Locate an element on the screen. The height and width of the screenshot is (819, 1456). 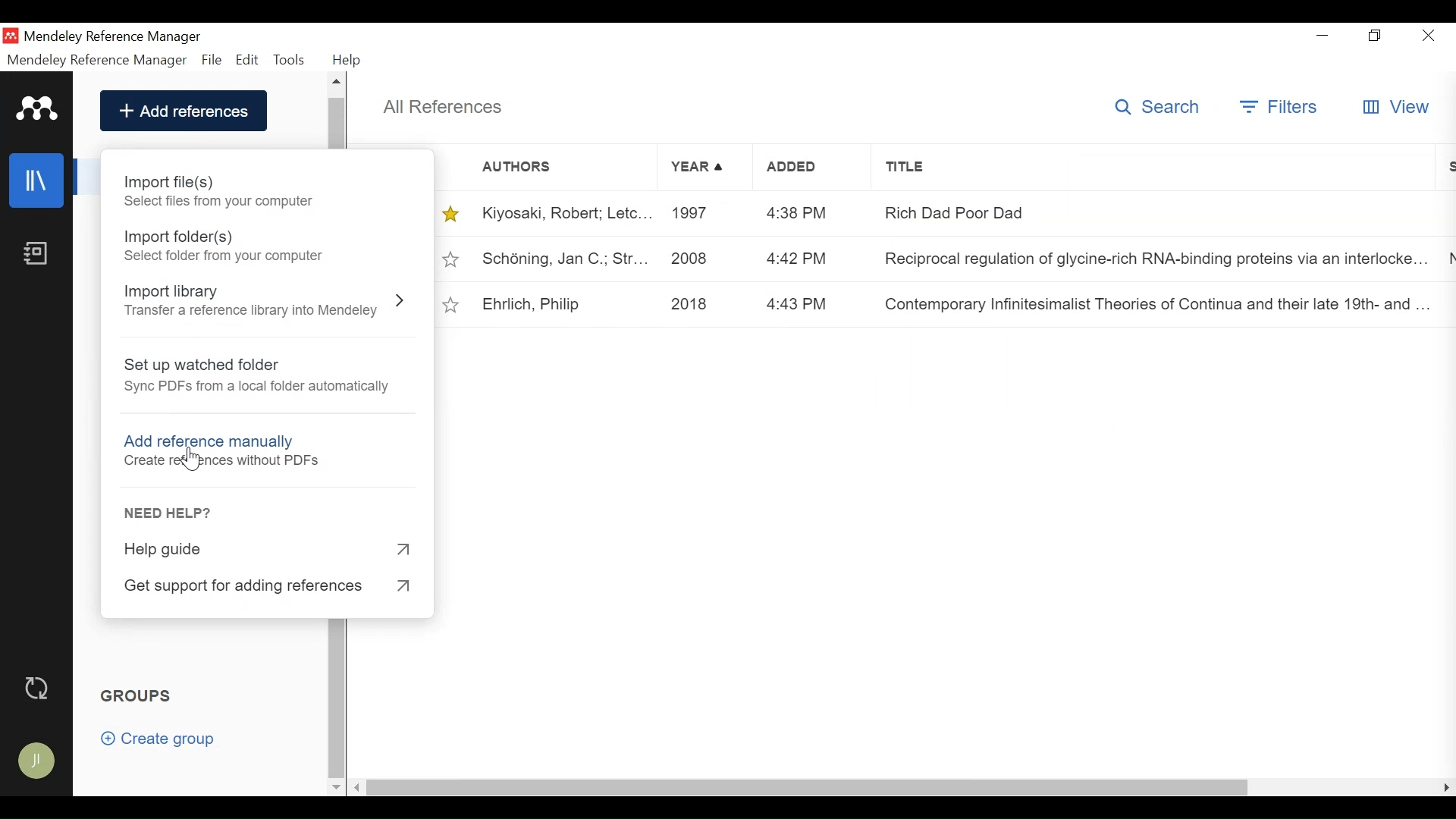
Library is located at coordinates (38, 180).